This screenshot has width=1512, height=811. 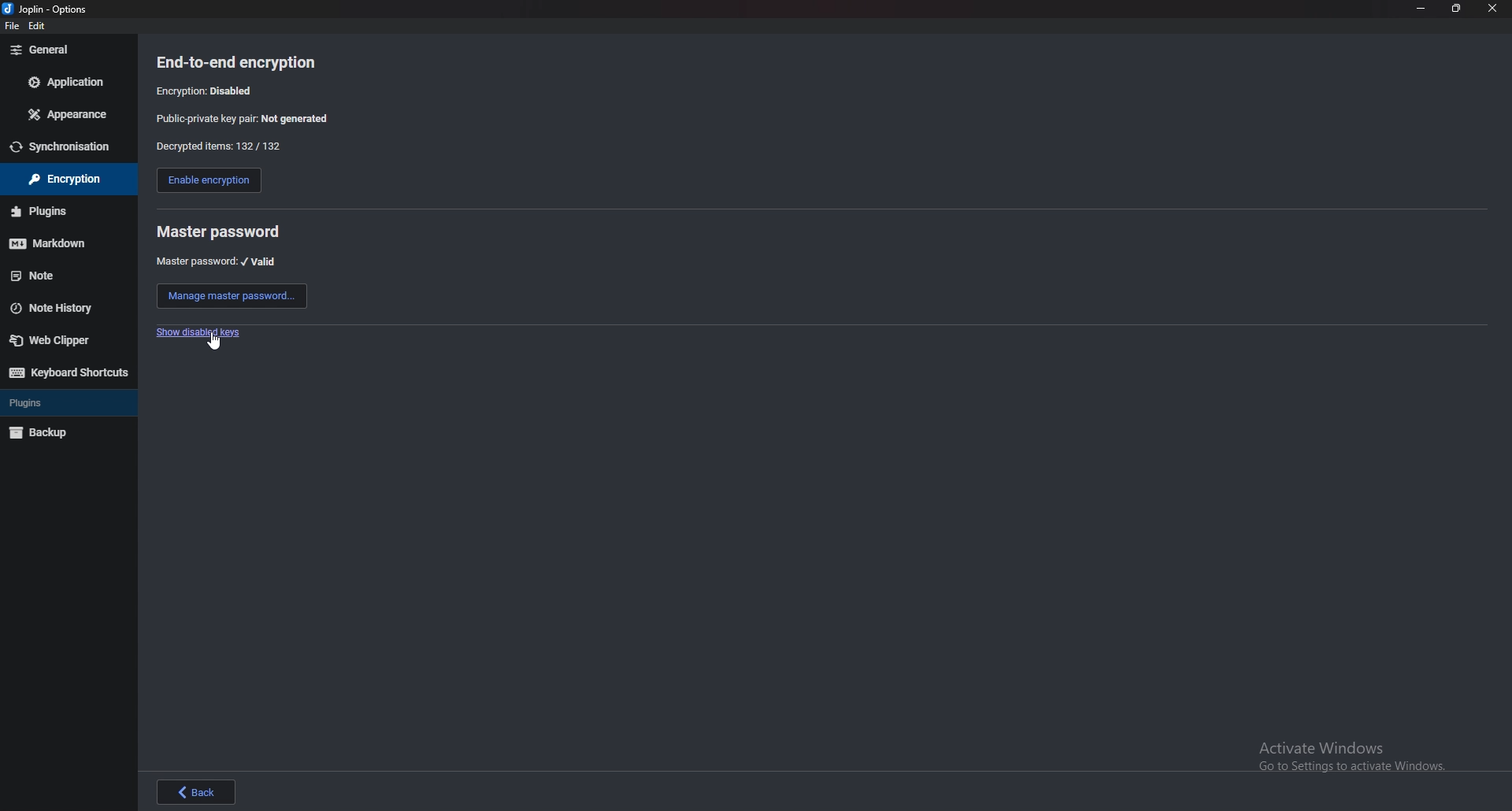 What do you see at coordinates (243, 61) in the screenshot?
I see `end to end encryption` at bounding box center [243, 61].